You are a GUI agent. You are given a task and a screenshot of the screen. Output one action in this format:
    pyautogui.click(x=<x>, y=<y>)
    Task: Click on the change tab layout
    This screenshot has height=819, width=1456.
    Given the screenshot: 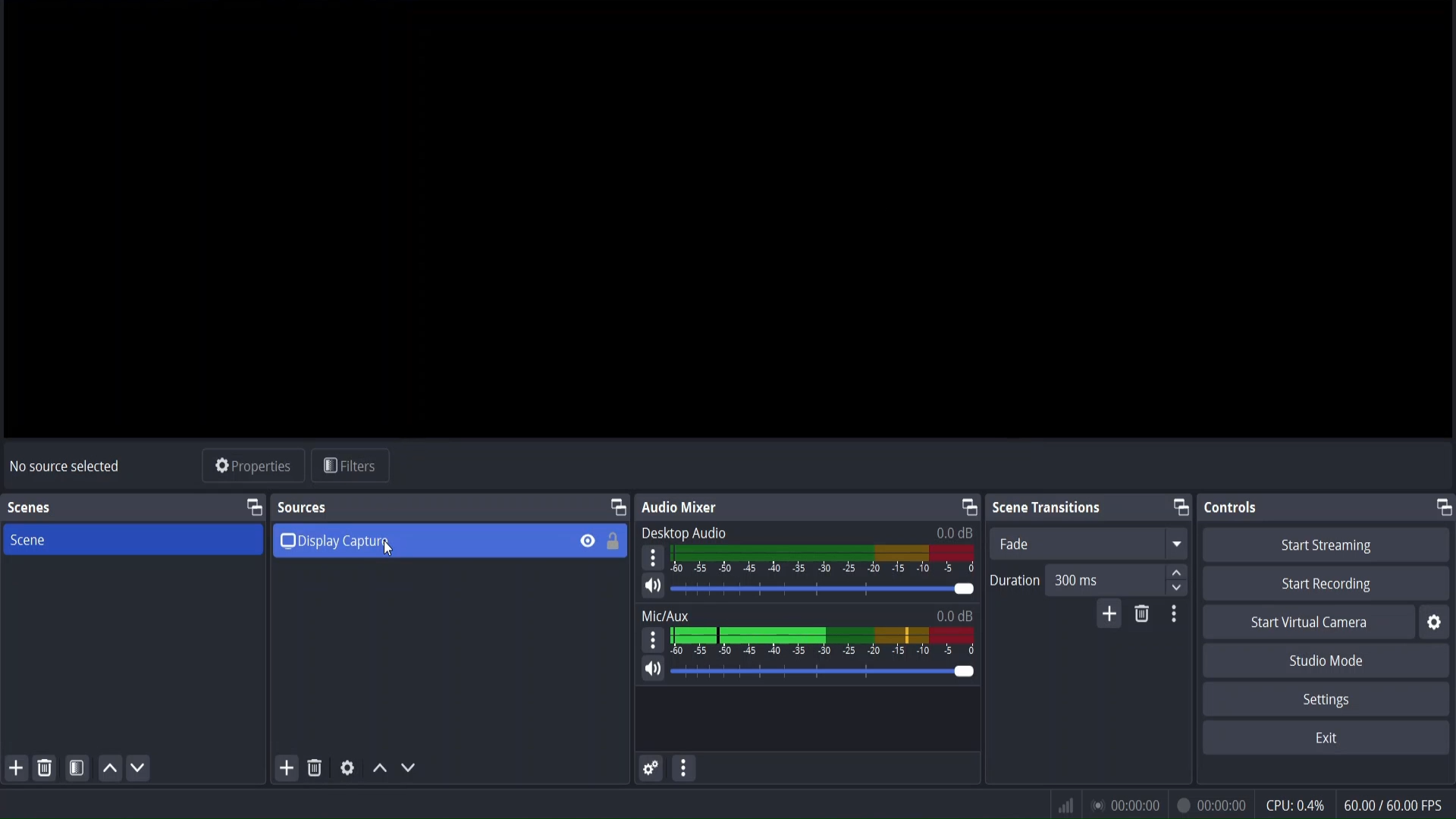 What is the action you would take?
    pyautogui.click(x=253, y=508)
    